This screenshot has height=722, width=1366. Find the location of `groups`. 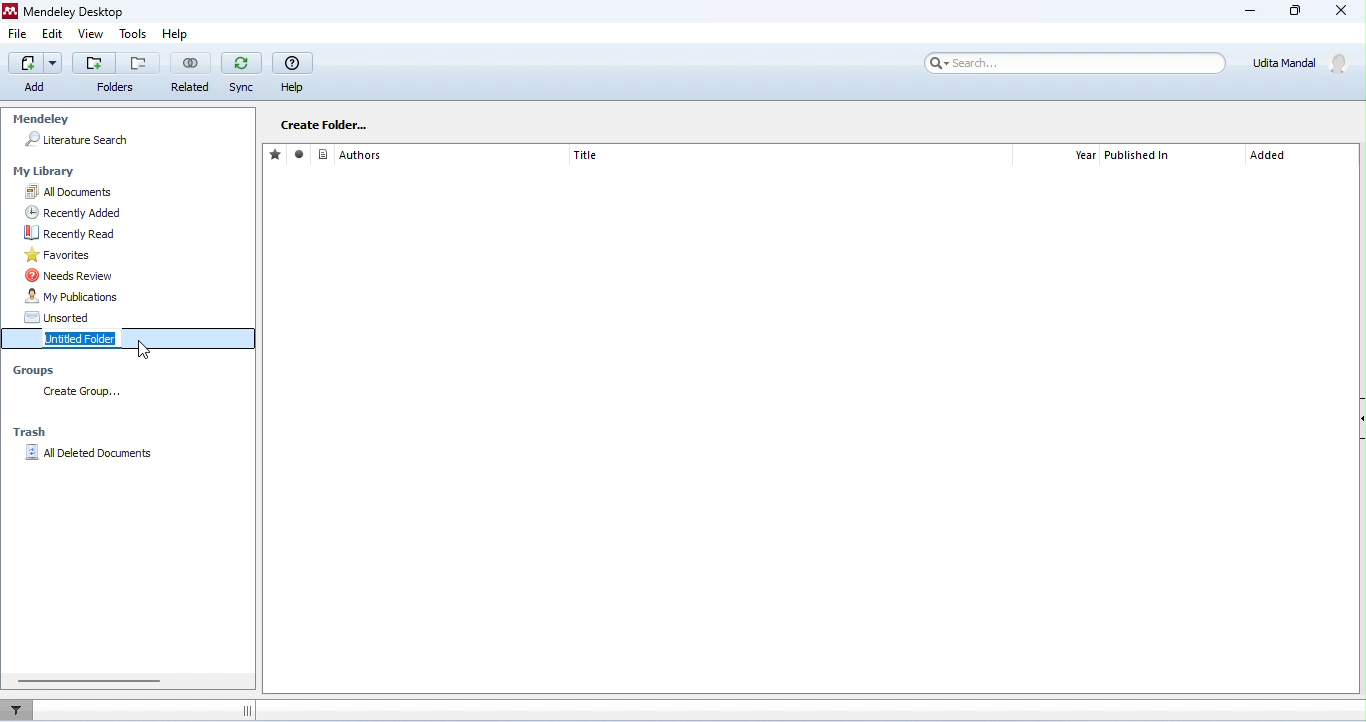

groups is located at coordinates (38, 372).